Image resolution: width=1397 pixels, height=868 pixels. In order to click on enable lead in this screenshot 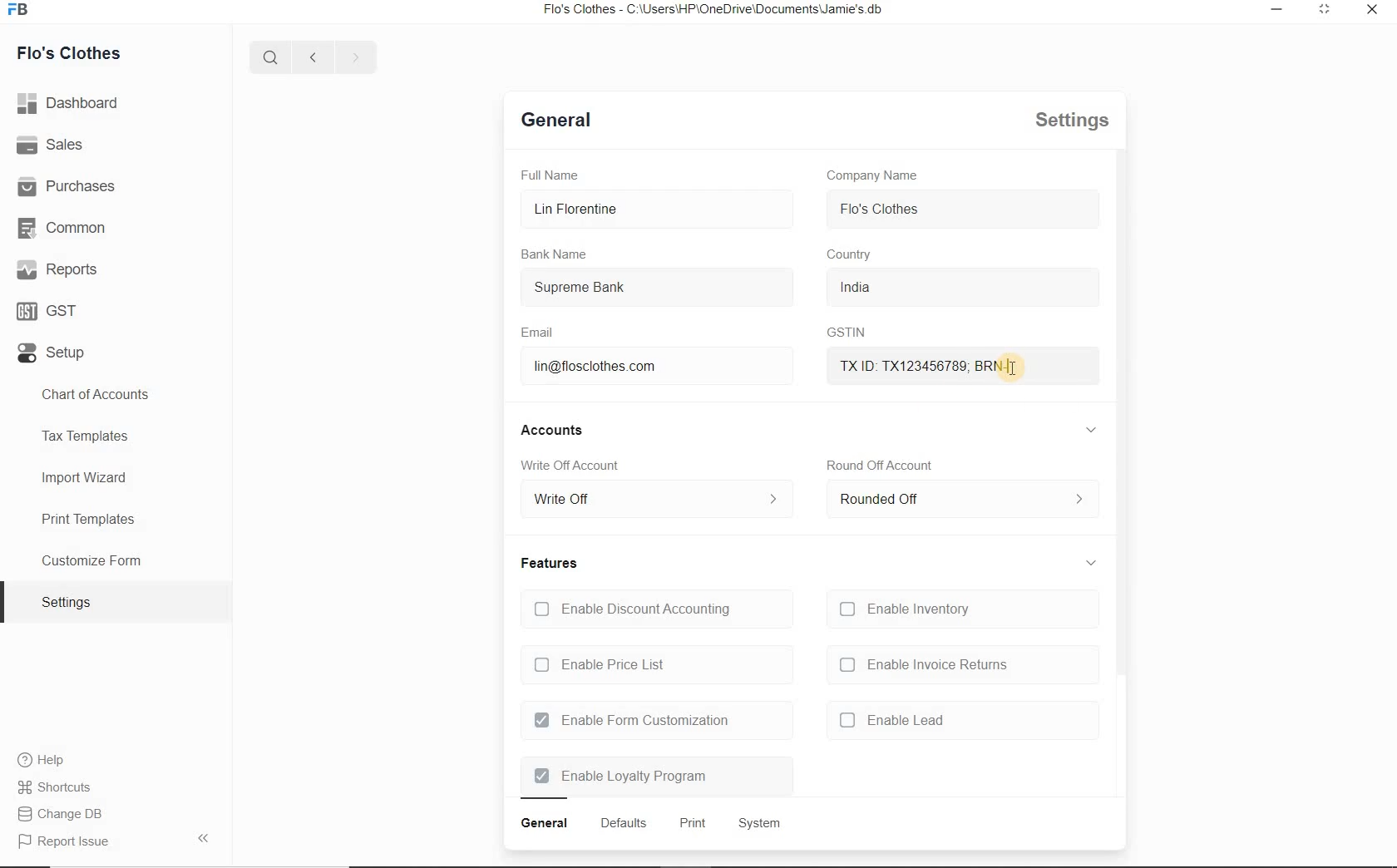, I will do `click(892, 719)`.